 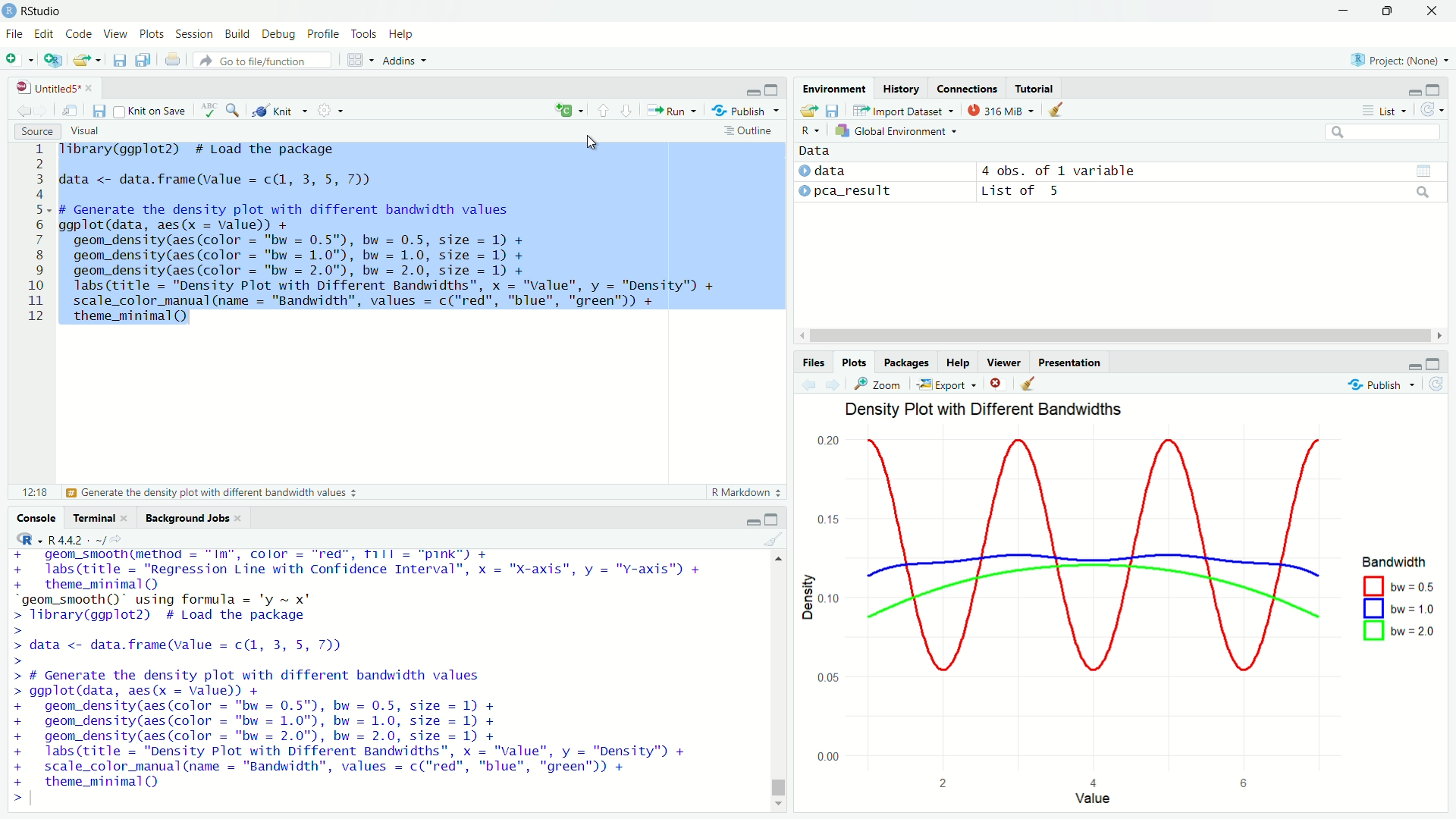 What do you see at coordinates (1436, 384) in the screenshot?
I see `Refresh current plot` at bounding box center [1436, 384].